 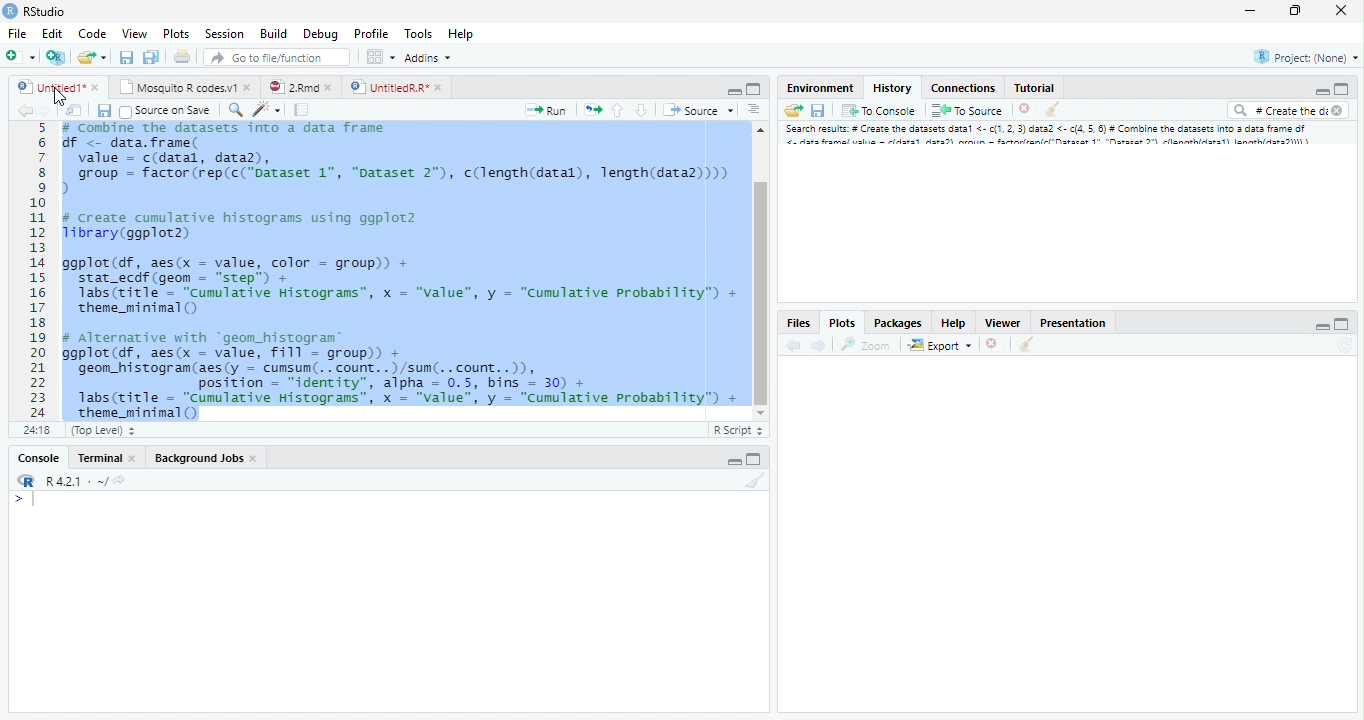 What do you see at coordinates (348, 34) in the screenshot?
I see `Debug` at bounding box center [348, 34].